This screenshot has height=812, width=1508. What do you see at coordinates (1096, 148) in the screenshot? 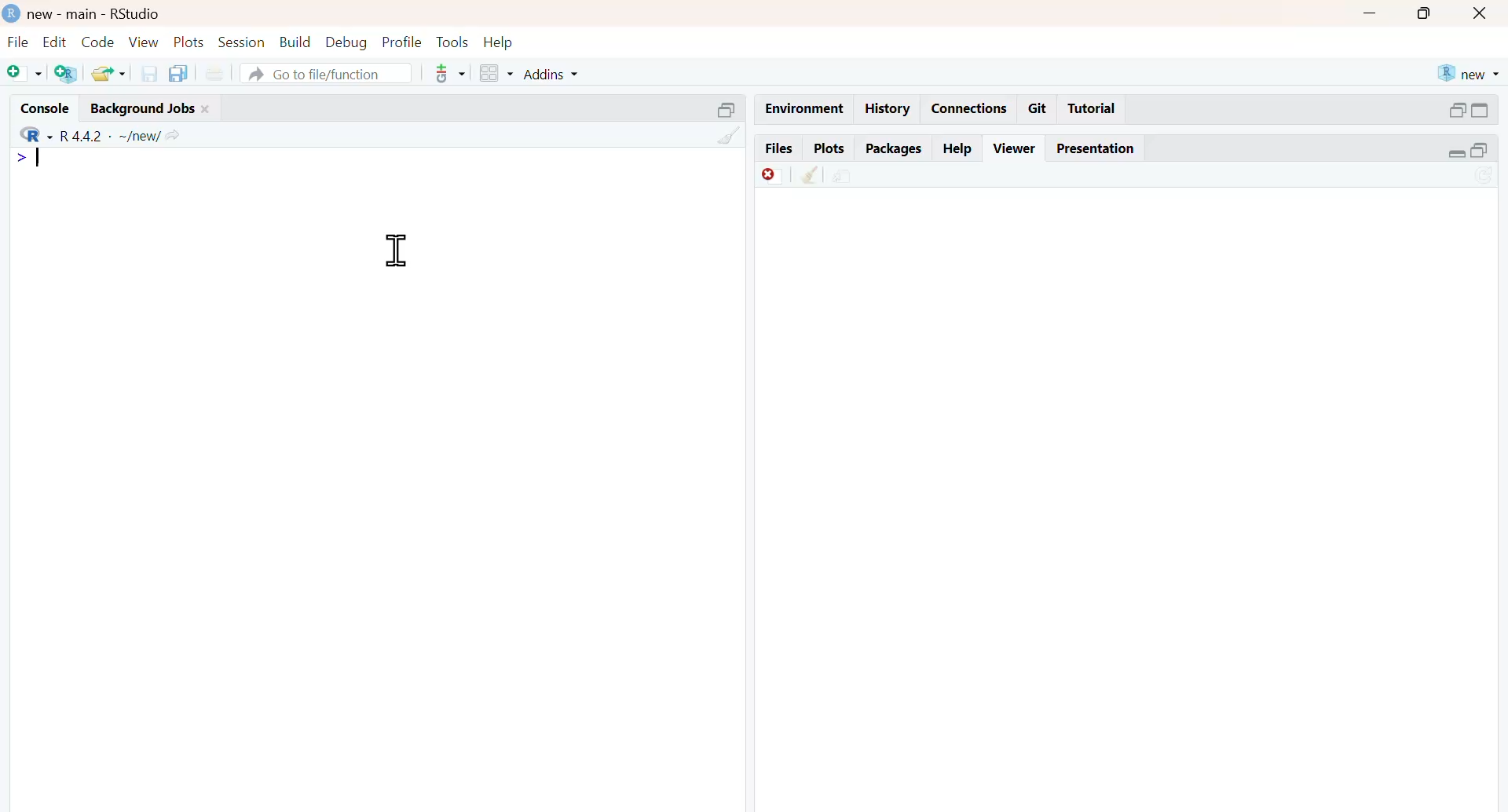
I see `Presentation` at bounding box center [1096, 148].